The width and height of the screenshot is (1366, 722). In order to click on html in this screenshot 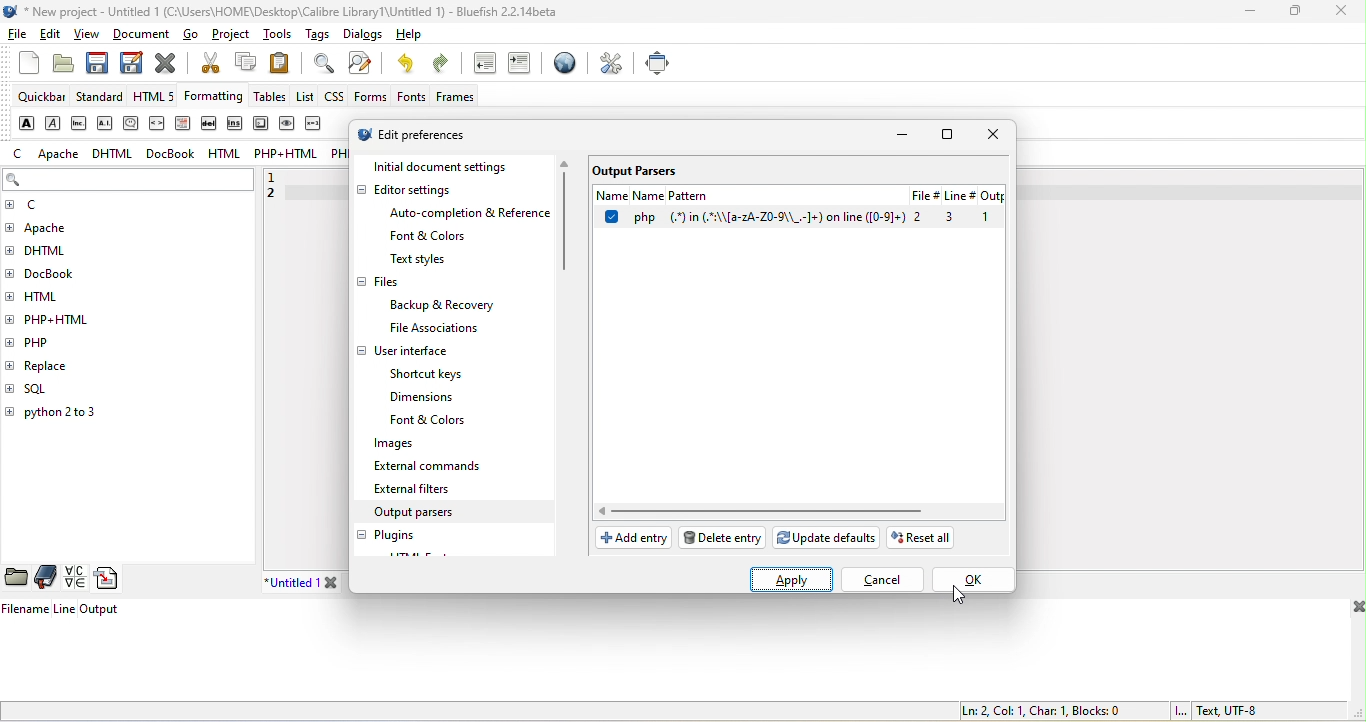, I will do `click(51, 297)`.